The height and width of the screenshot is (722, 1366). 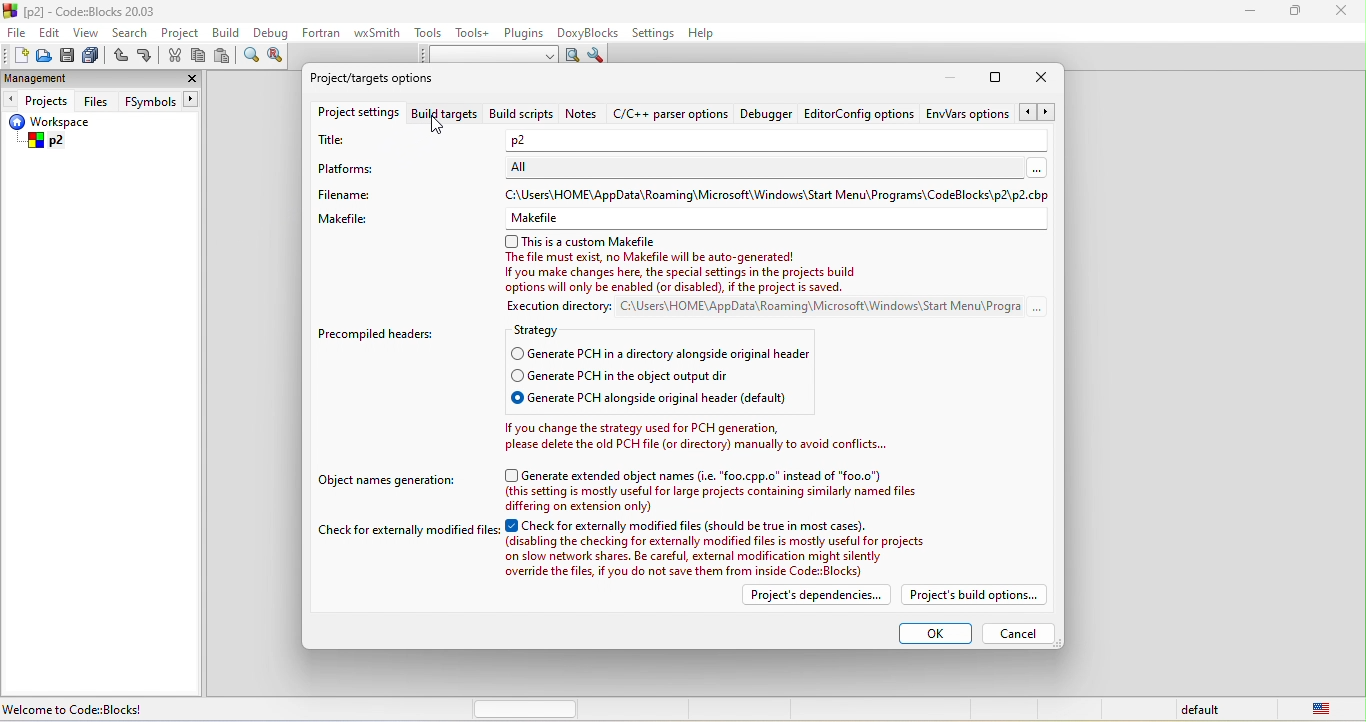 I want to click on show option window, so click(x=598, y=55).